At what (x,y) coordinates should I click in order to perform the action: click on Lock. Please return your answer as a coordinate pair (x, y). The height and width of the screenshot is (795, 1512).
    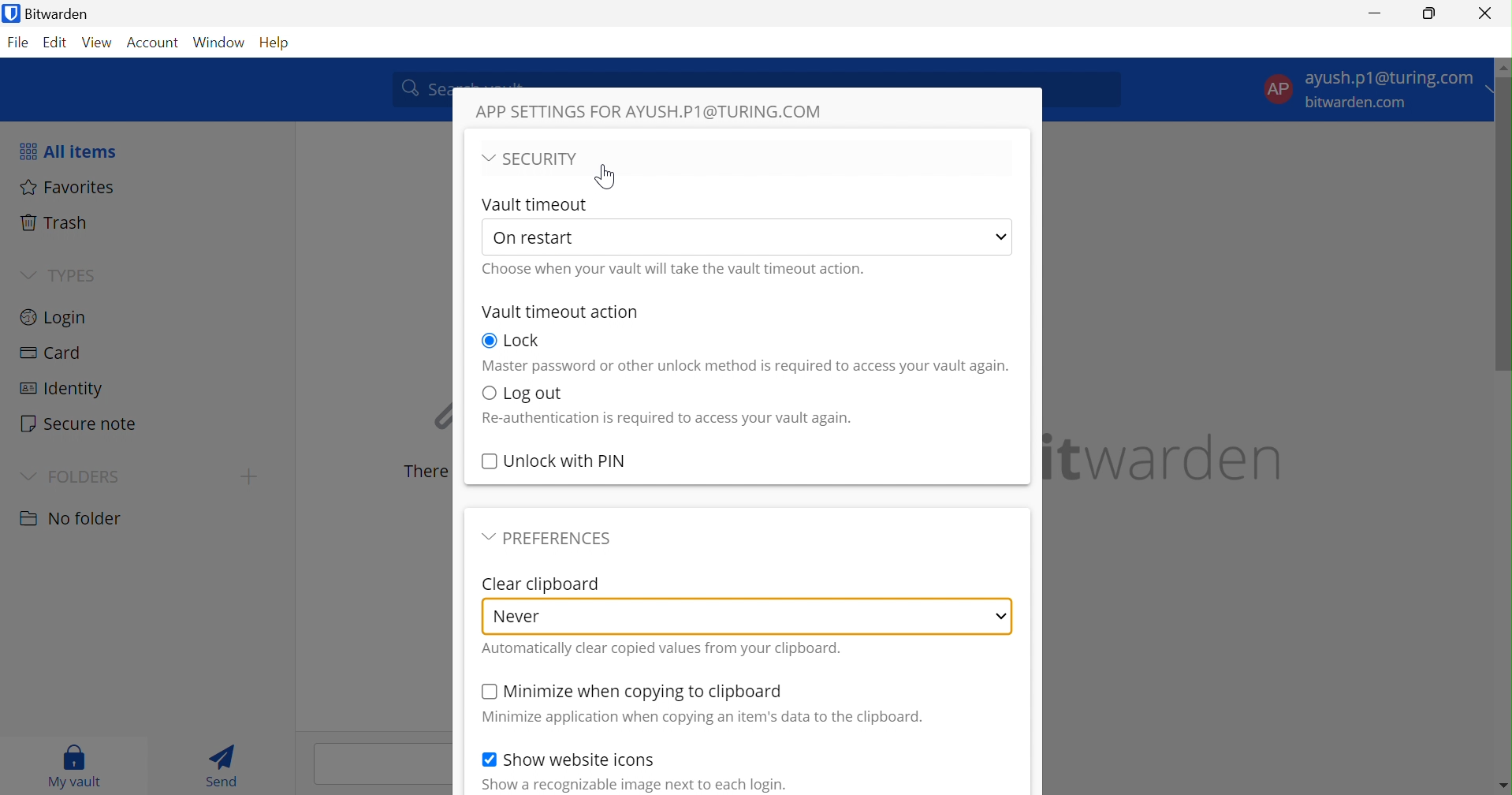
    Looking at the image, I should click on (524, 340).